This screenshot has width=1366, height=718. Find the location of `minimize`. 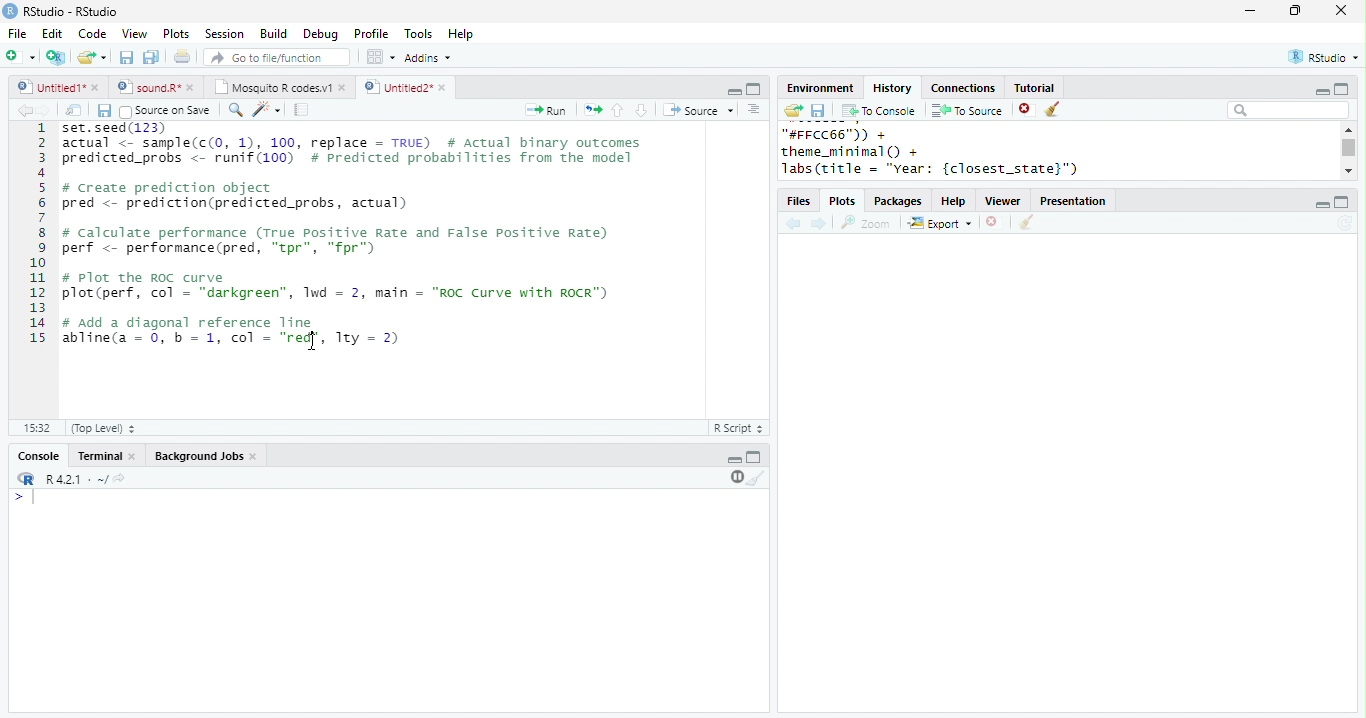

minimize is located at coordinates (1321, 92).